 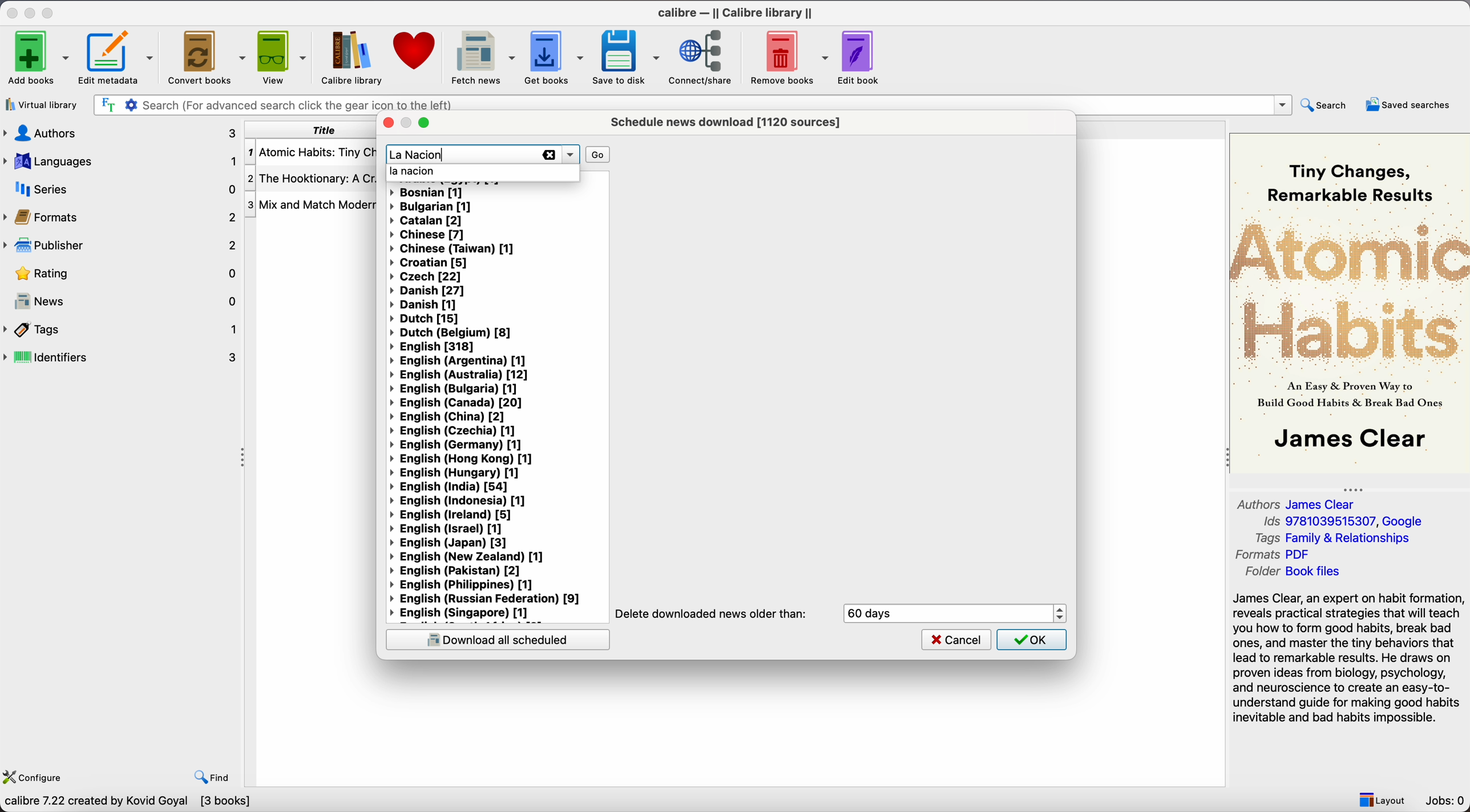 What do you see at coordinates (49, 11) in the screenshot?
I see `maximize` at bounding box center [49, 11].